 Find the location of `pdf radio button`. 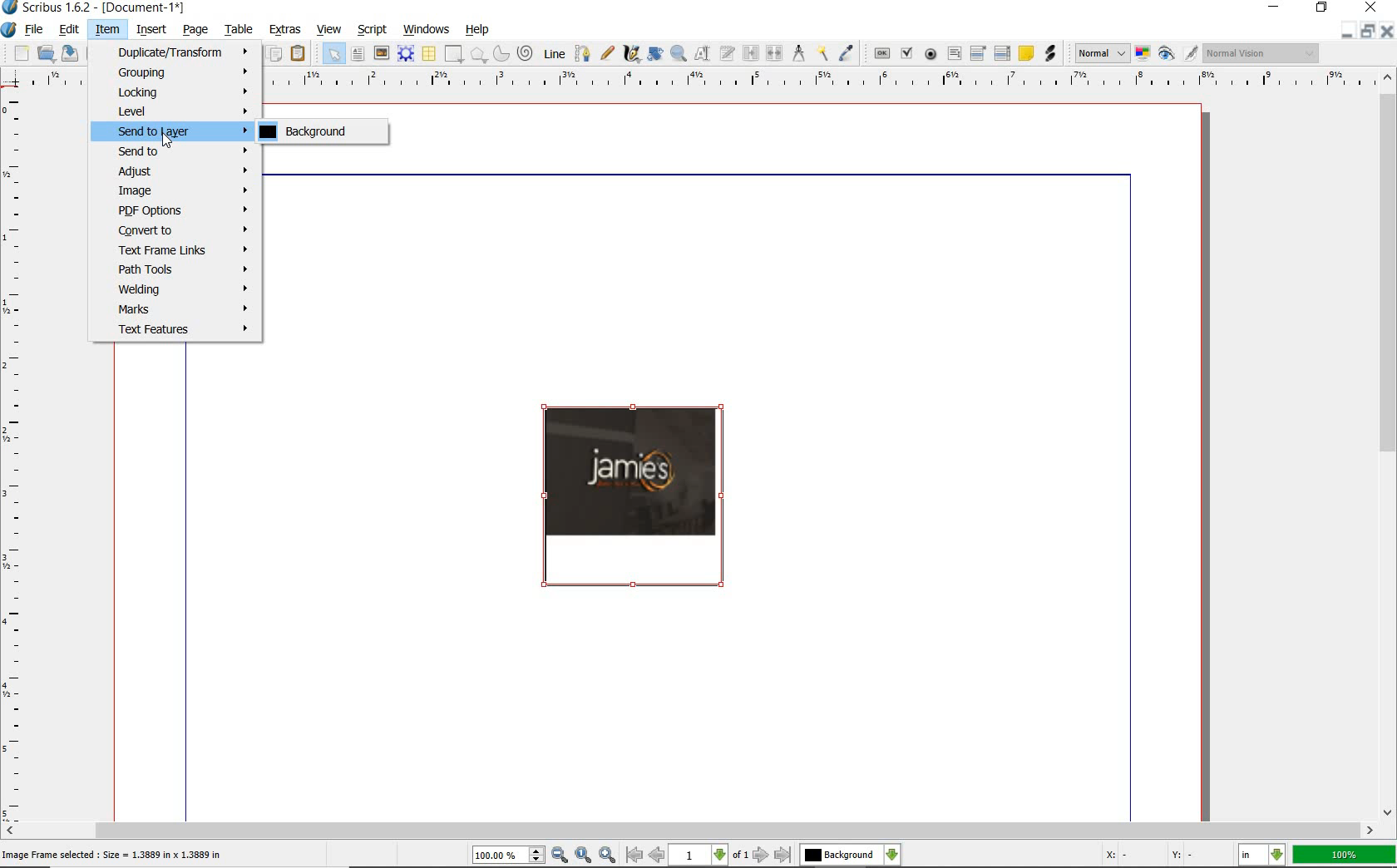

pdf radio button is located at coordinates (931, 55).